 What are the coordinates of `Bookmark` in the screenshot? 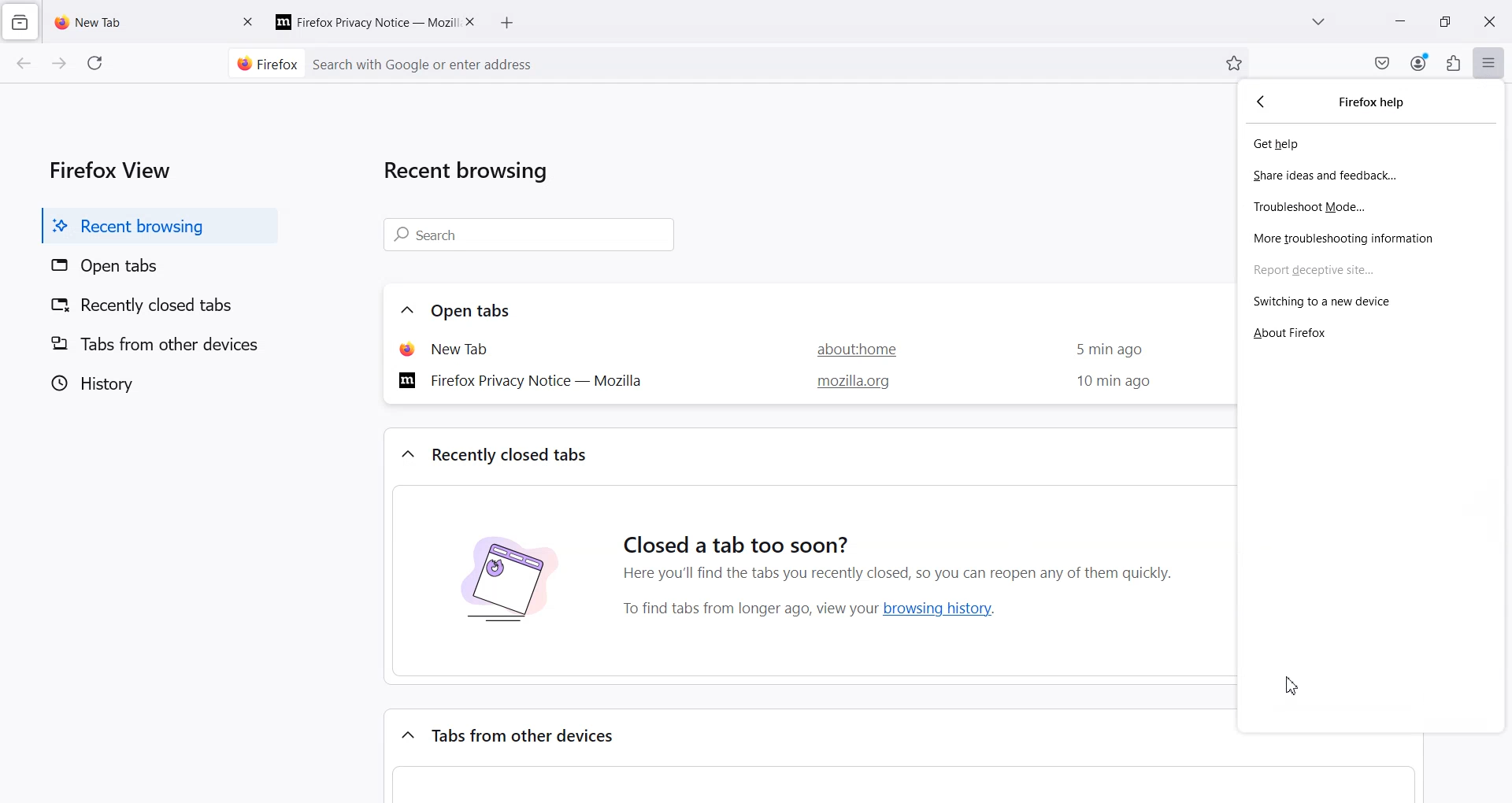 It's located at (1234, 63).